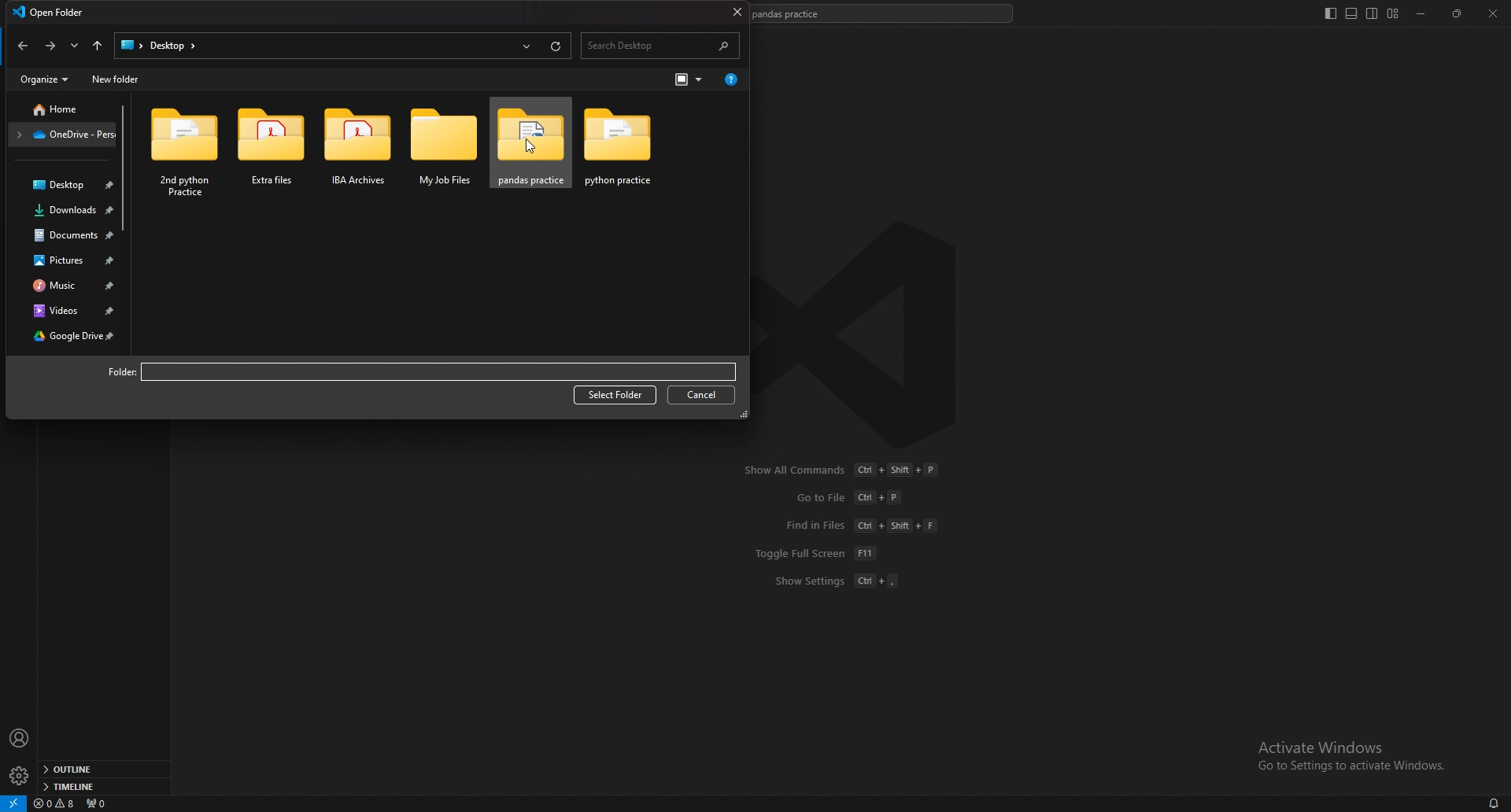 The height and width of the screenshot is (812, 1511). I want to click on Activate Windows
Go to Settings to activate Windows., so click(1346, 755).